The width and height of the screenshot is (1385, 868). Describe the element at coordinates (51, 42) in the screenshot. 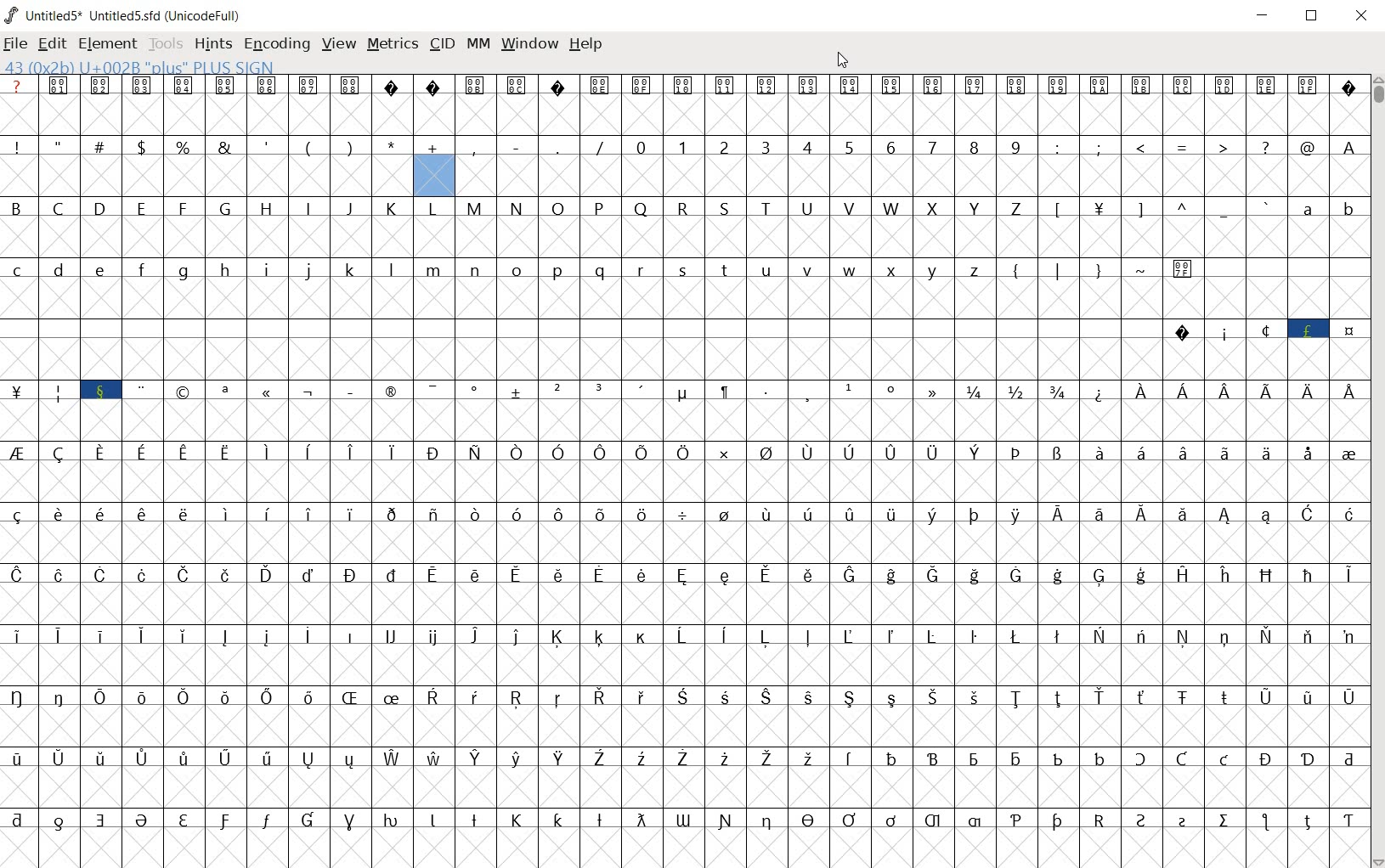

I see `edit` at that location.